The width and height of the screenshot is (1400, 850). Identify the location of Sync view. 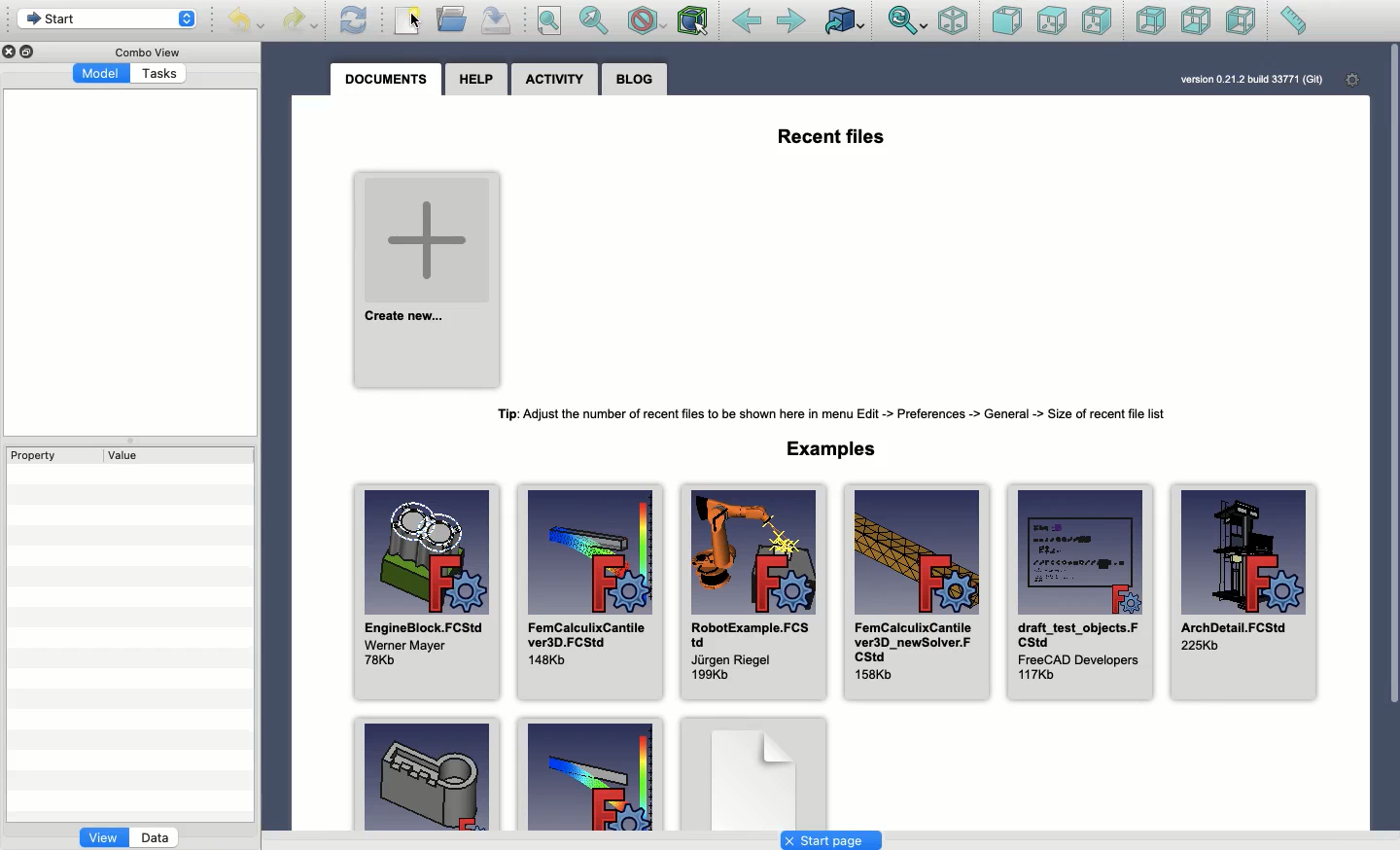
(907, 20).